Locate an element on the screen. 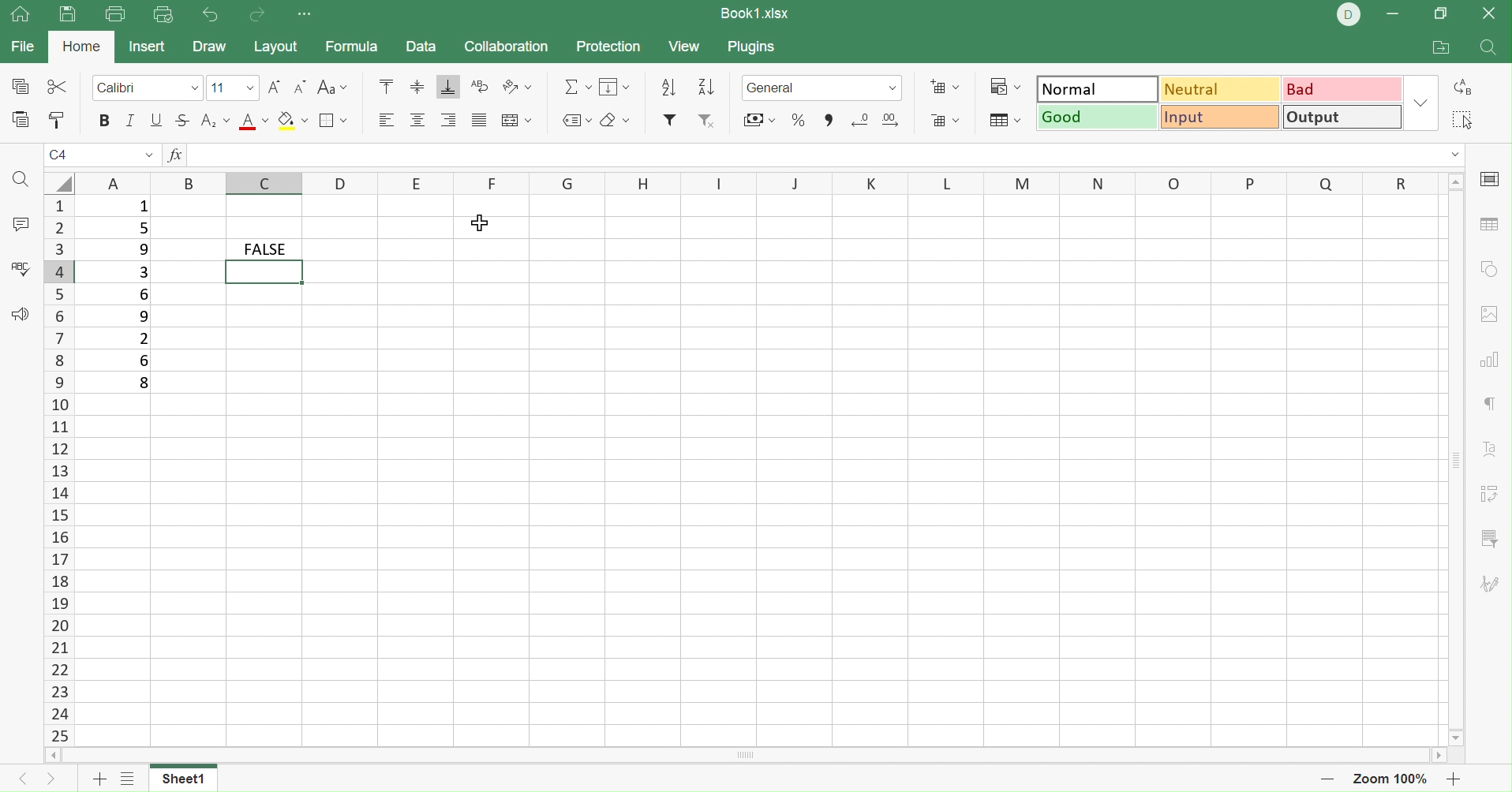  Signature settings is located at coordinates (1493, 581).